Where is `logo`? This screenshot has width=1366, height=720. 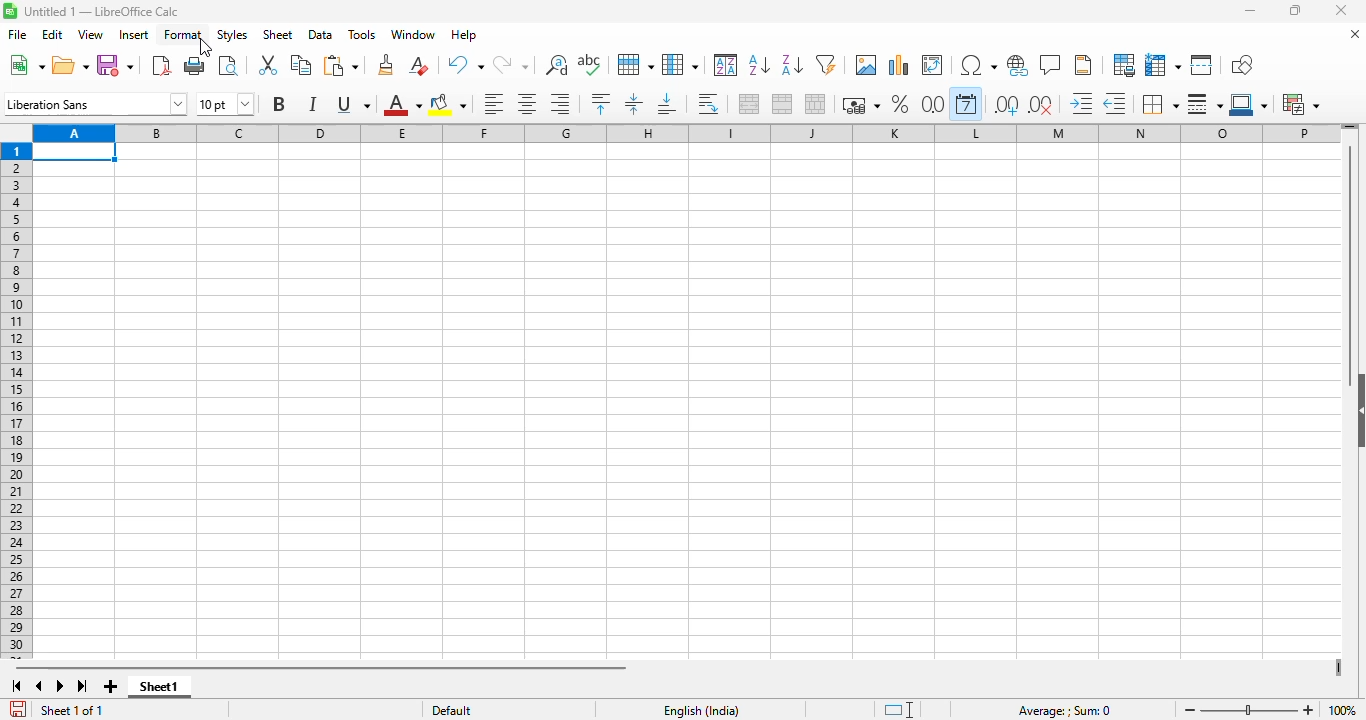
logo is located at coordinates (10, 11).